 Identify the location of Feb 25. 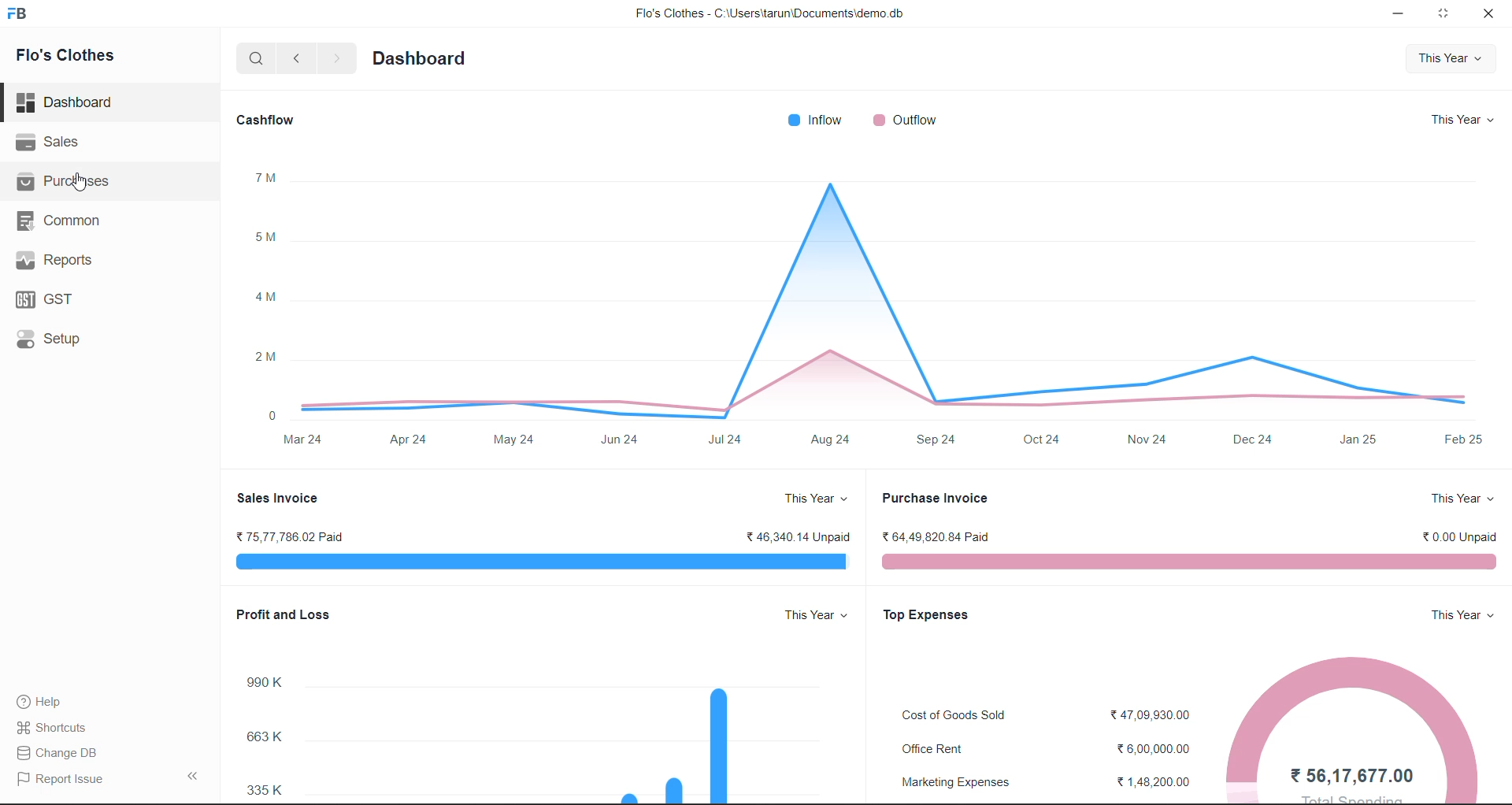
(1462, 443).